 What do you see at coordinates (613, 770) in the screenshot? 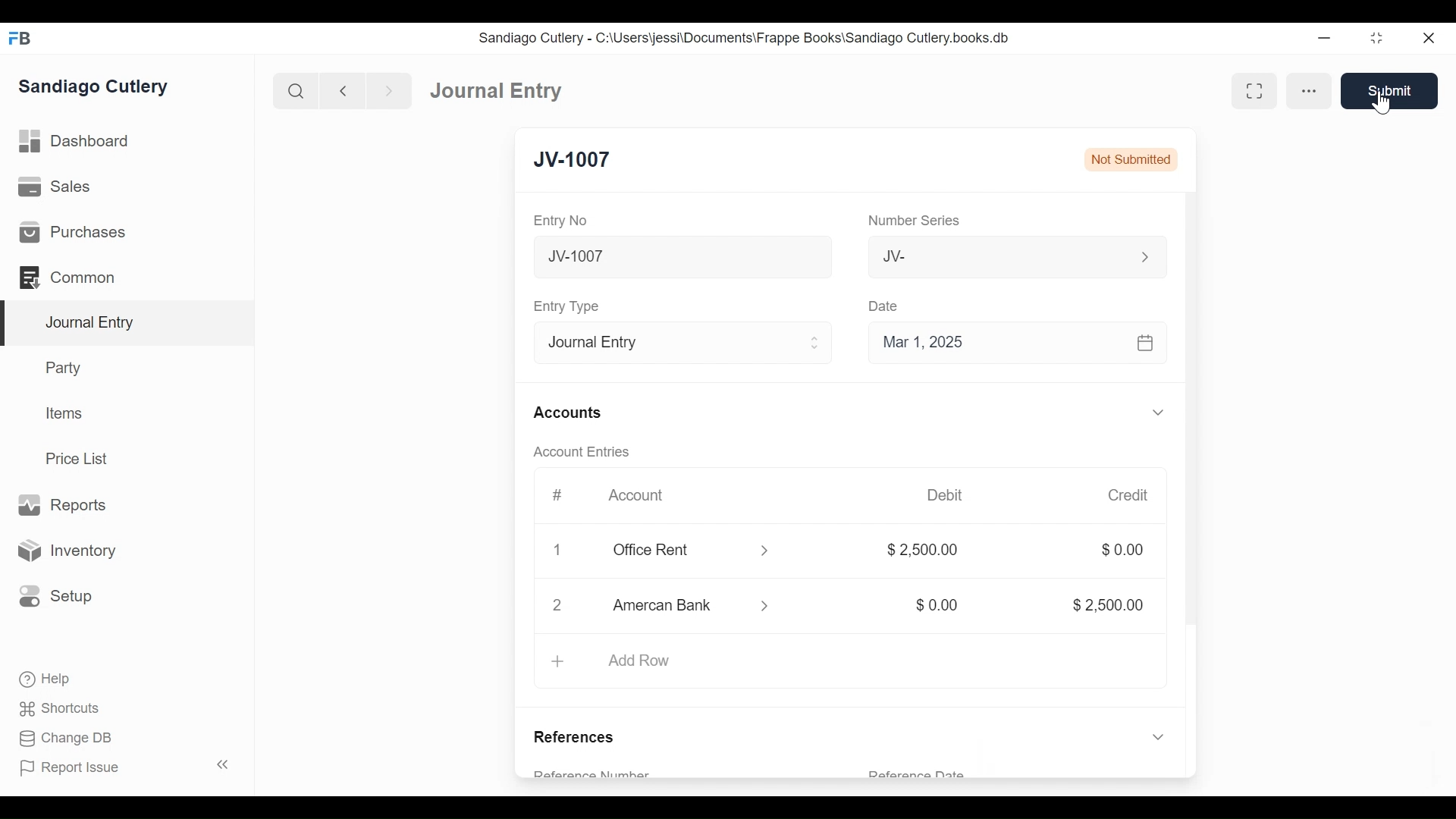
I see `Reference Number` at bounding box center [613, 770].